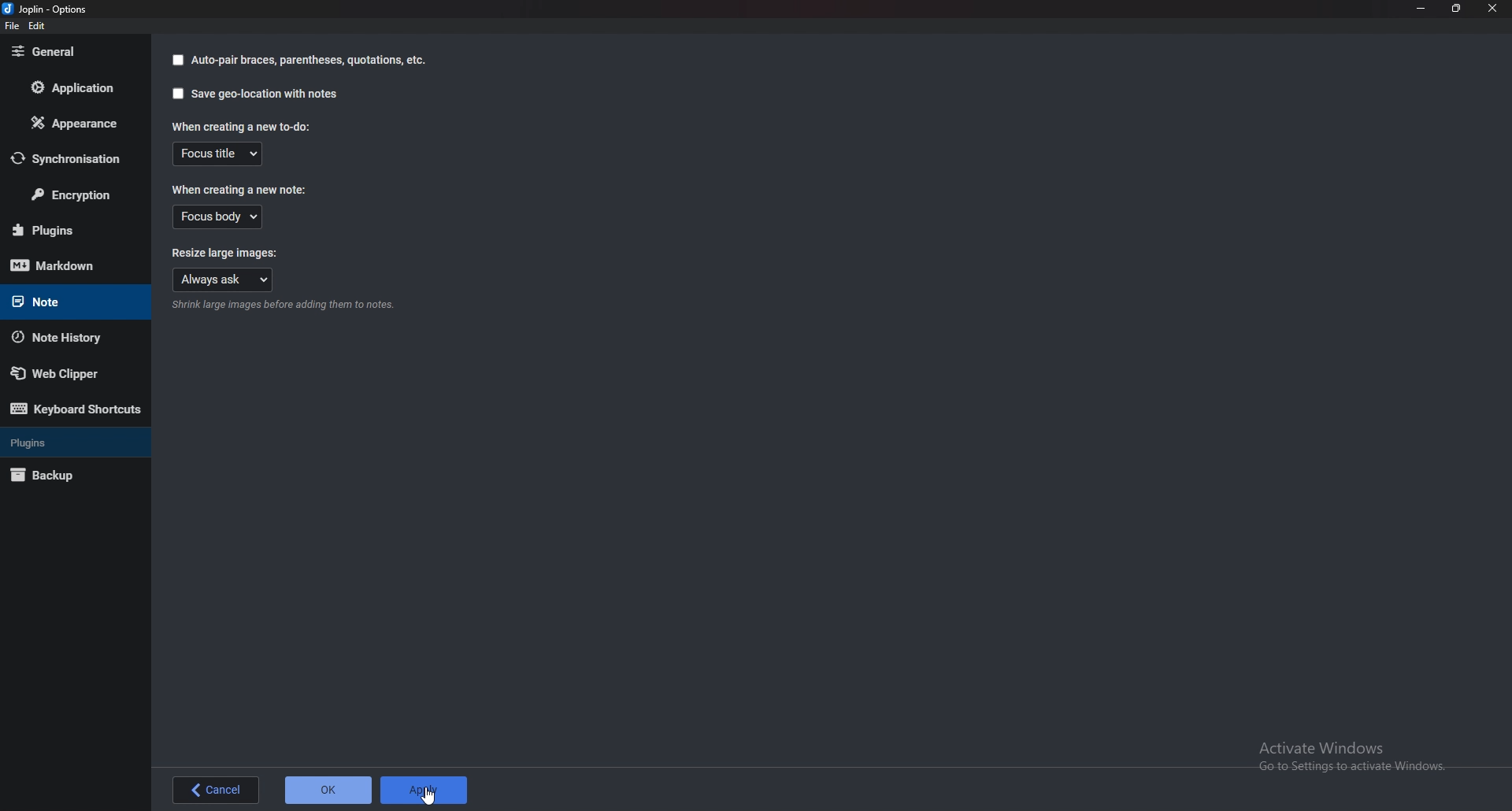 The height and width of the screenshot is (811, 1512). I want to click on Always ask, so click(223, 281).